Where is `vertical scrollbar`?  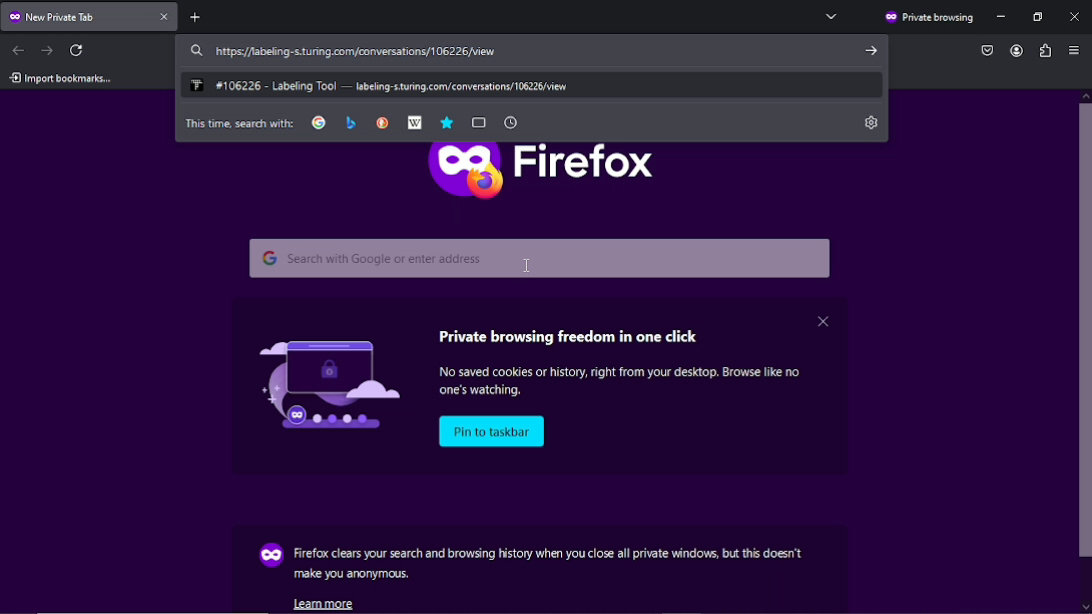 vertical scrollbar is located at coordinates (1085, 356).